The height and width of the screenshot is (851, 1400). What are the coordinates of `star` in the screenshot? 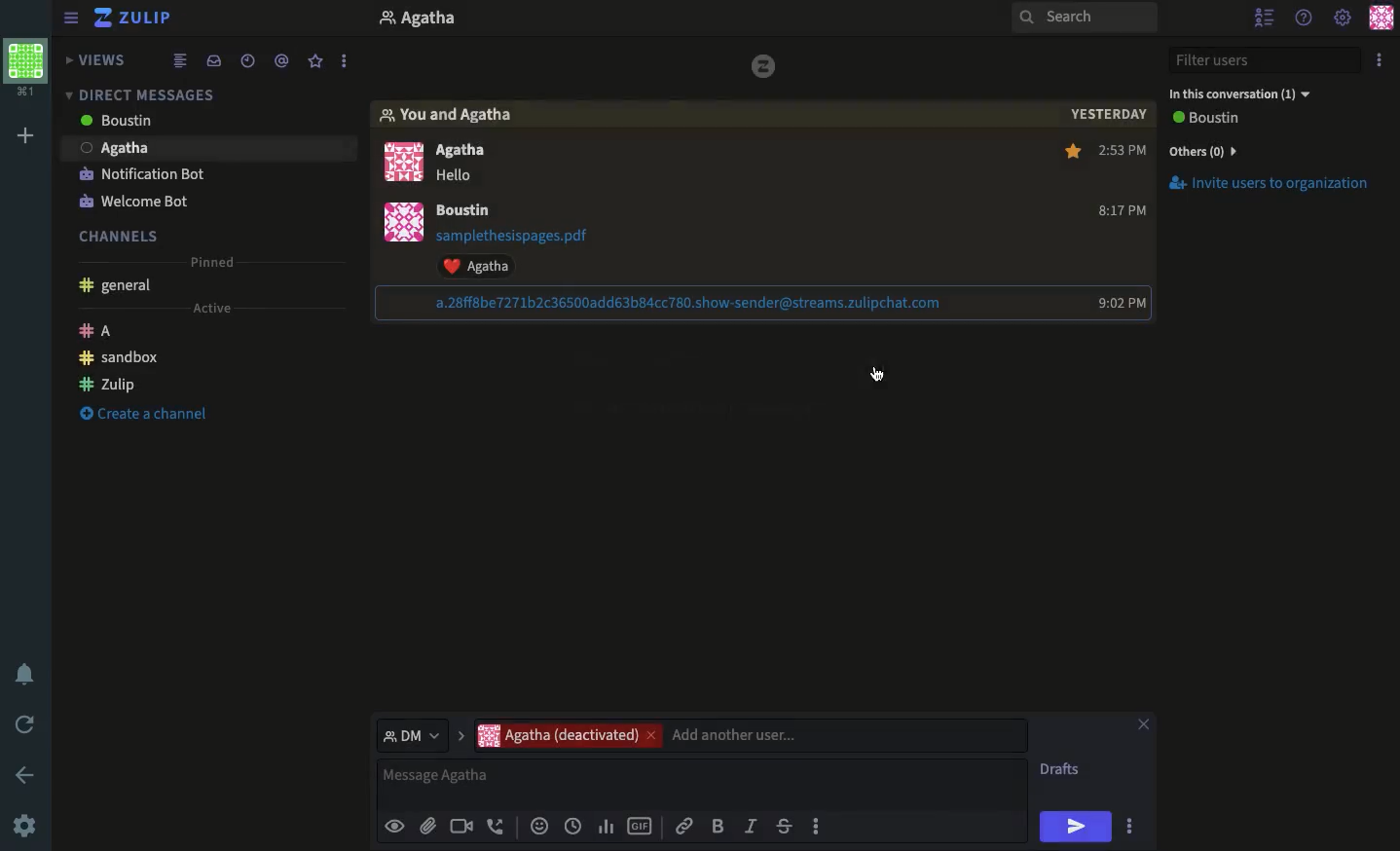 It's located at (1072, 154).